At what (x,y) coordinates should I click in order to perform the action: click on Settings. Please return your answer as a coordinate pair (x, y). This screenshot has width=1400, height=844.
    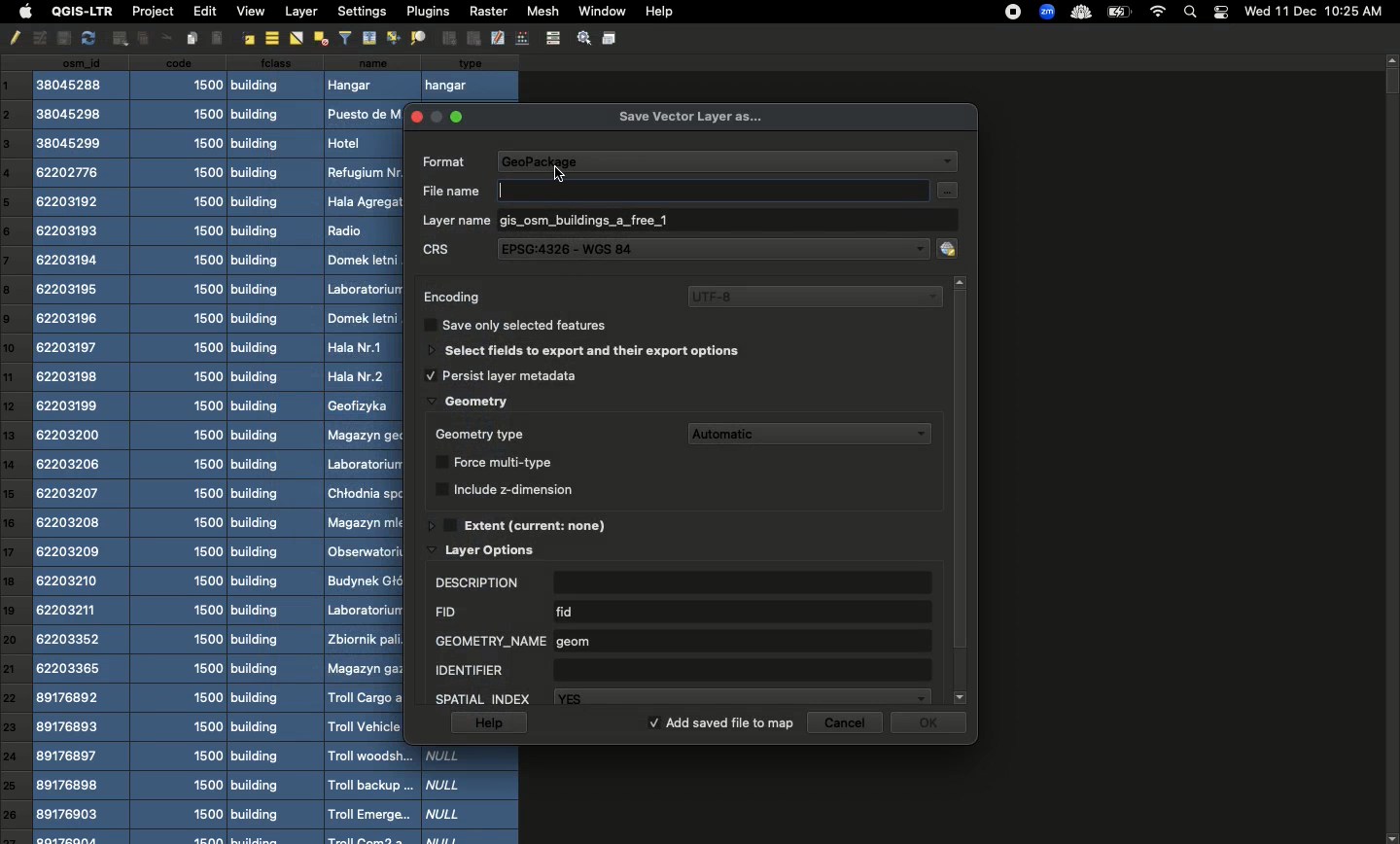
    Looking at the image, I should click on (581, 37).